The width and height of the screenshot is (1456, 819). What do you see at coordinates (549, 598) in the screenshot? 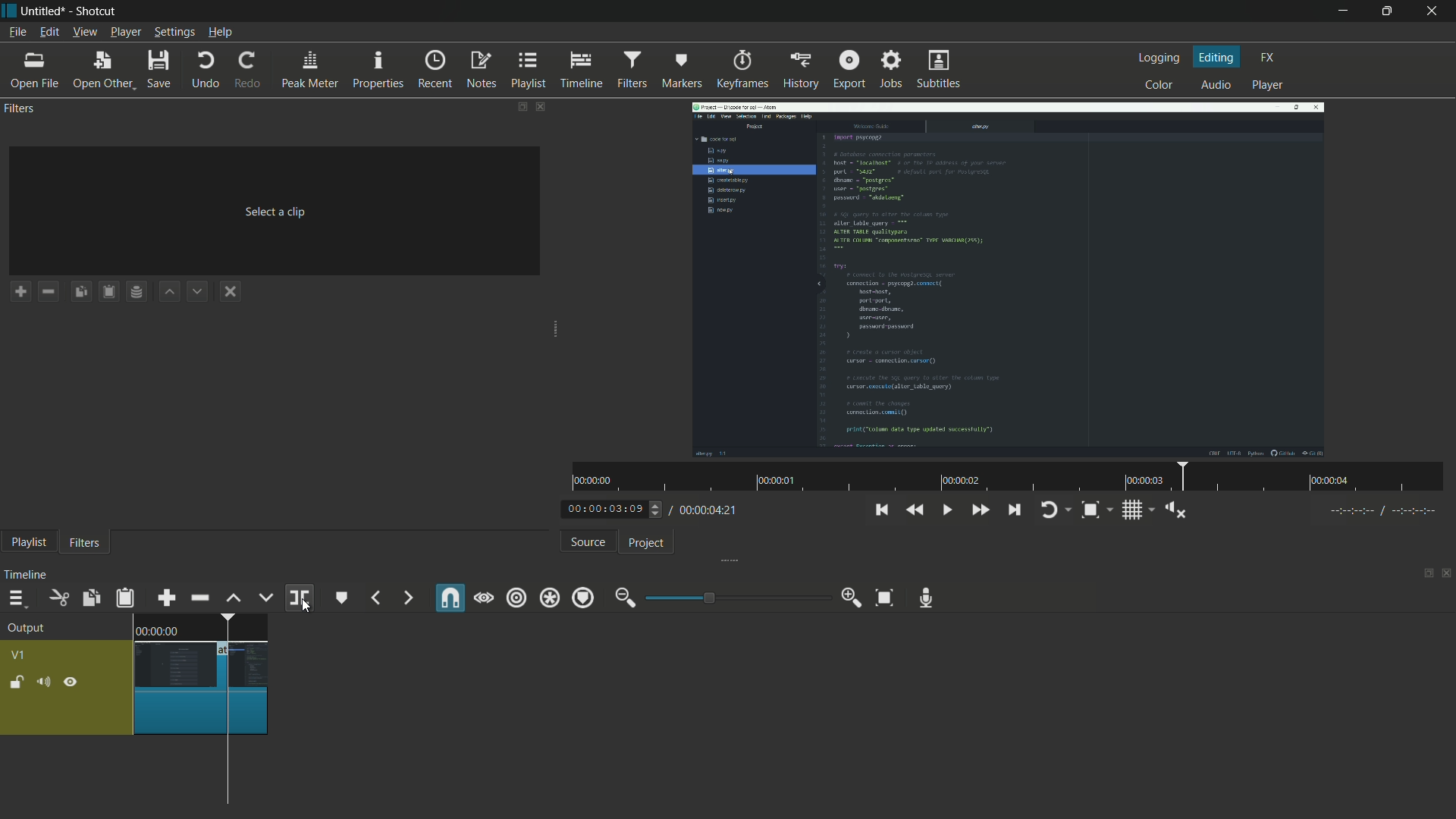
I see `ripple all tracks` at bounding box center [549, 598].